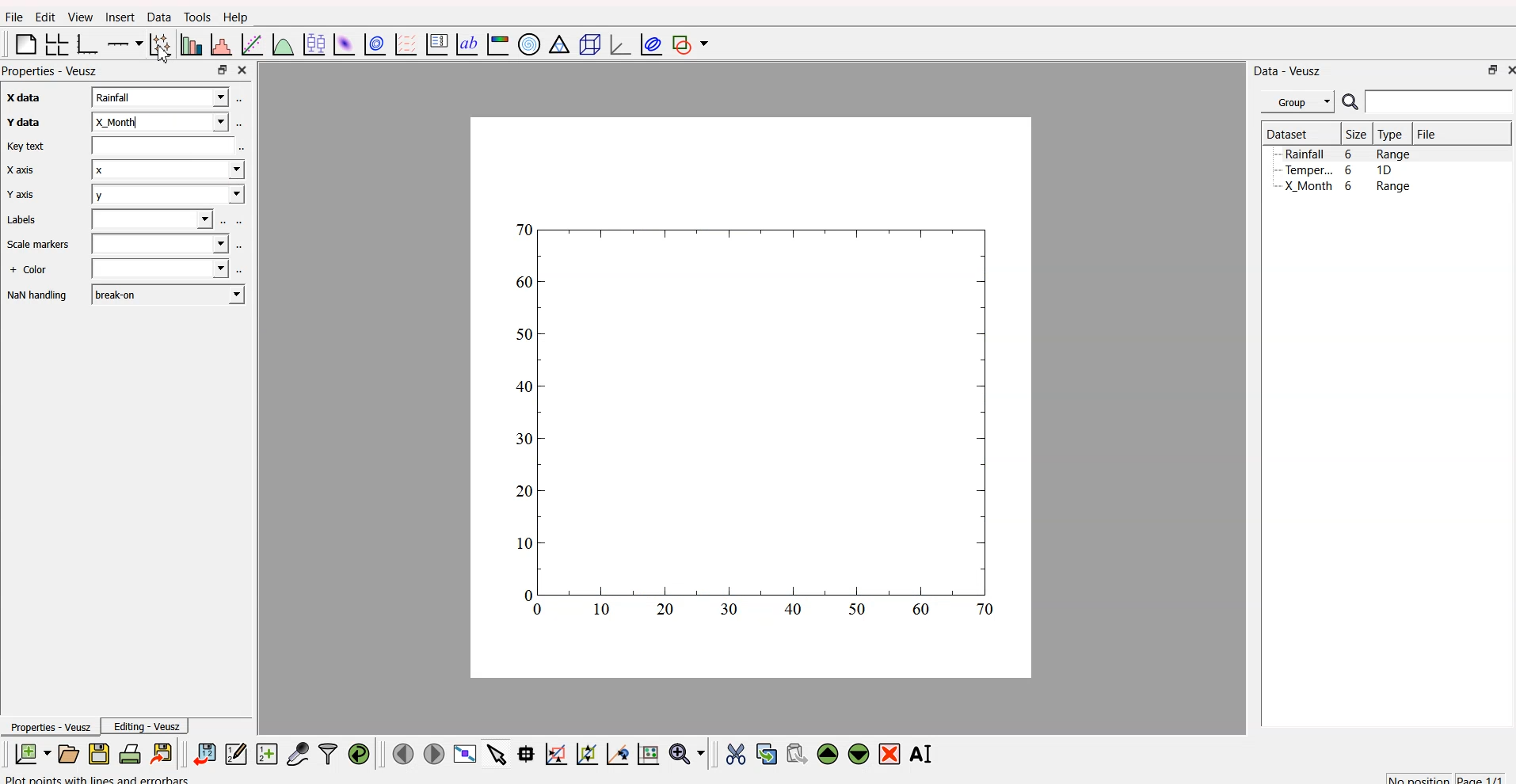 The width and height of the screenshot is (1516, 784). I want to click on new document, so click(32, 755).